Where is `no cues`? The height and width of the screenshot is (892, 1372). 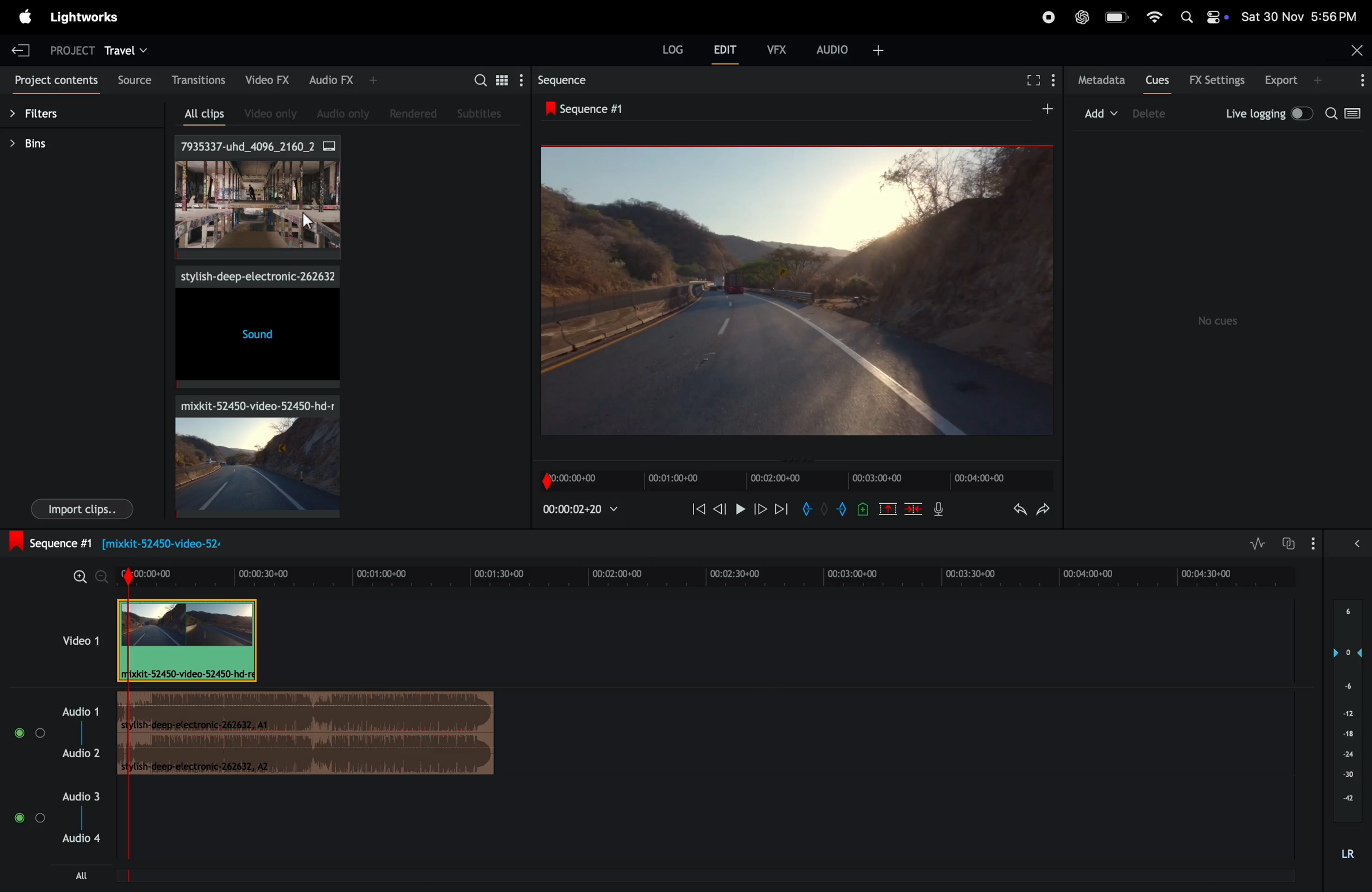 no cues is located at coordinates (1220, 321).